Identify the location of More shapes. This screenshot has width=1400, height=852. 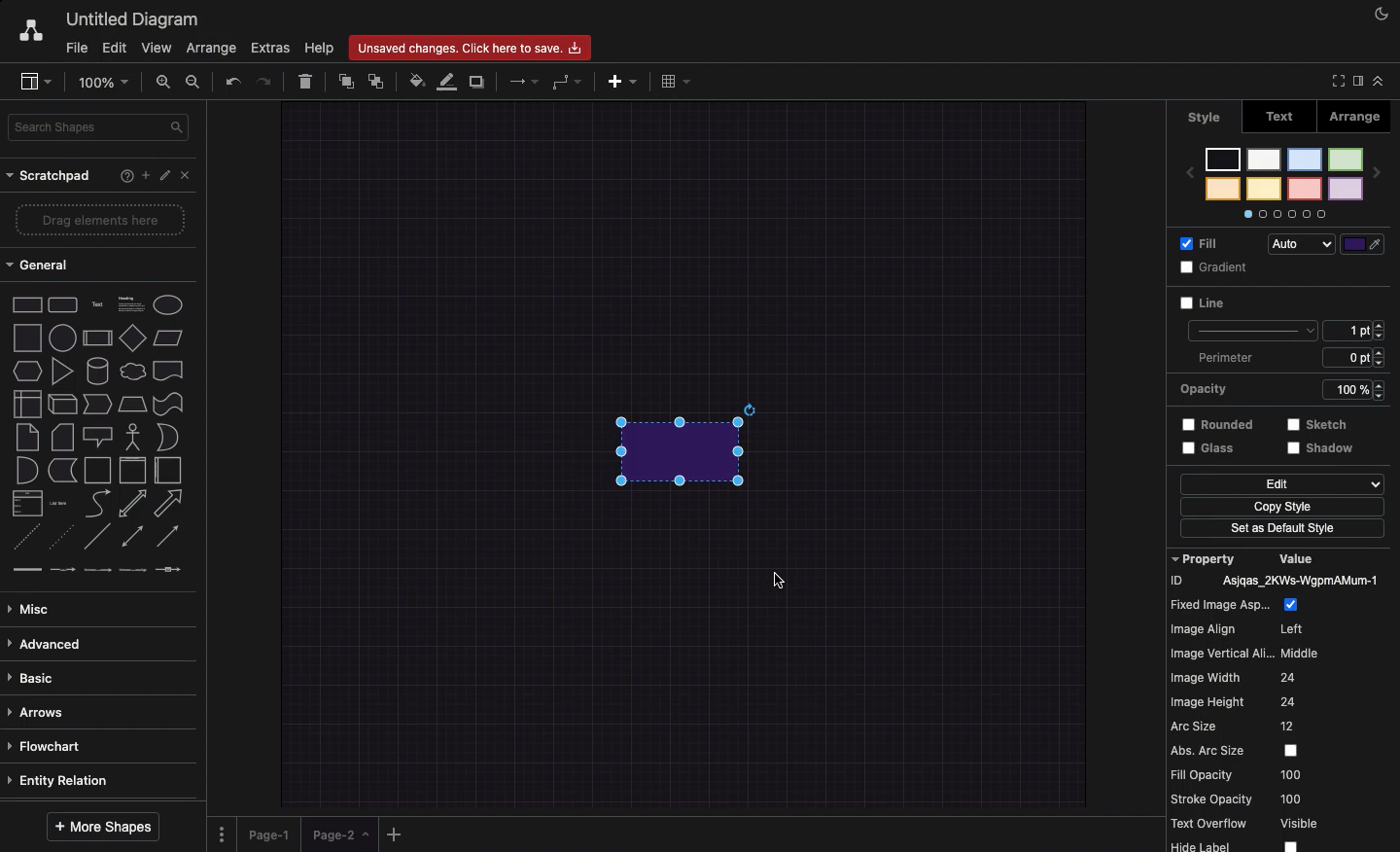
(105, 823).